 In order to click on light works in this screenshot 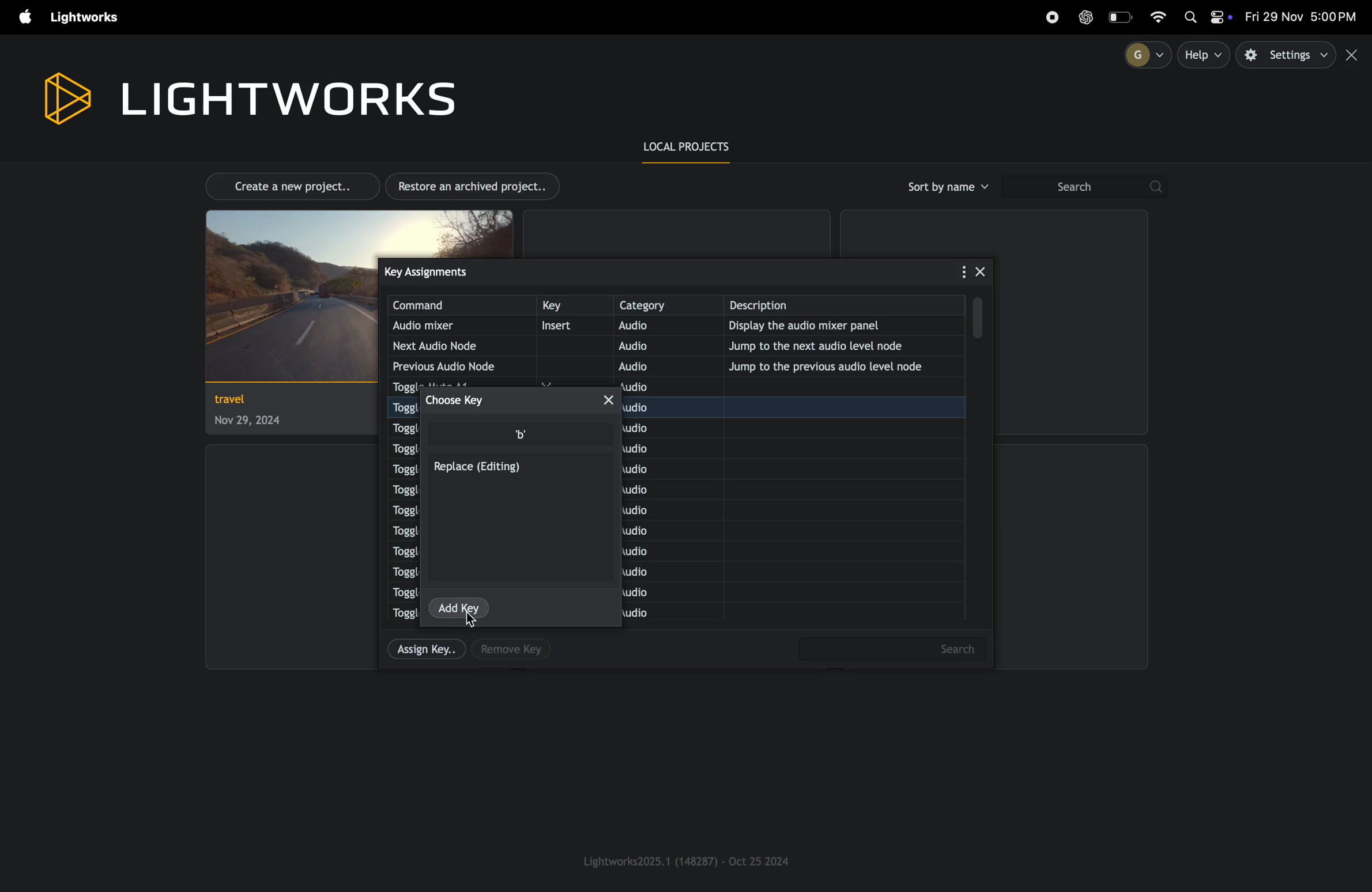, I will do `click(247, 96)`.